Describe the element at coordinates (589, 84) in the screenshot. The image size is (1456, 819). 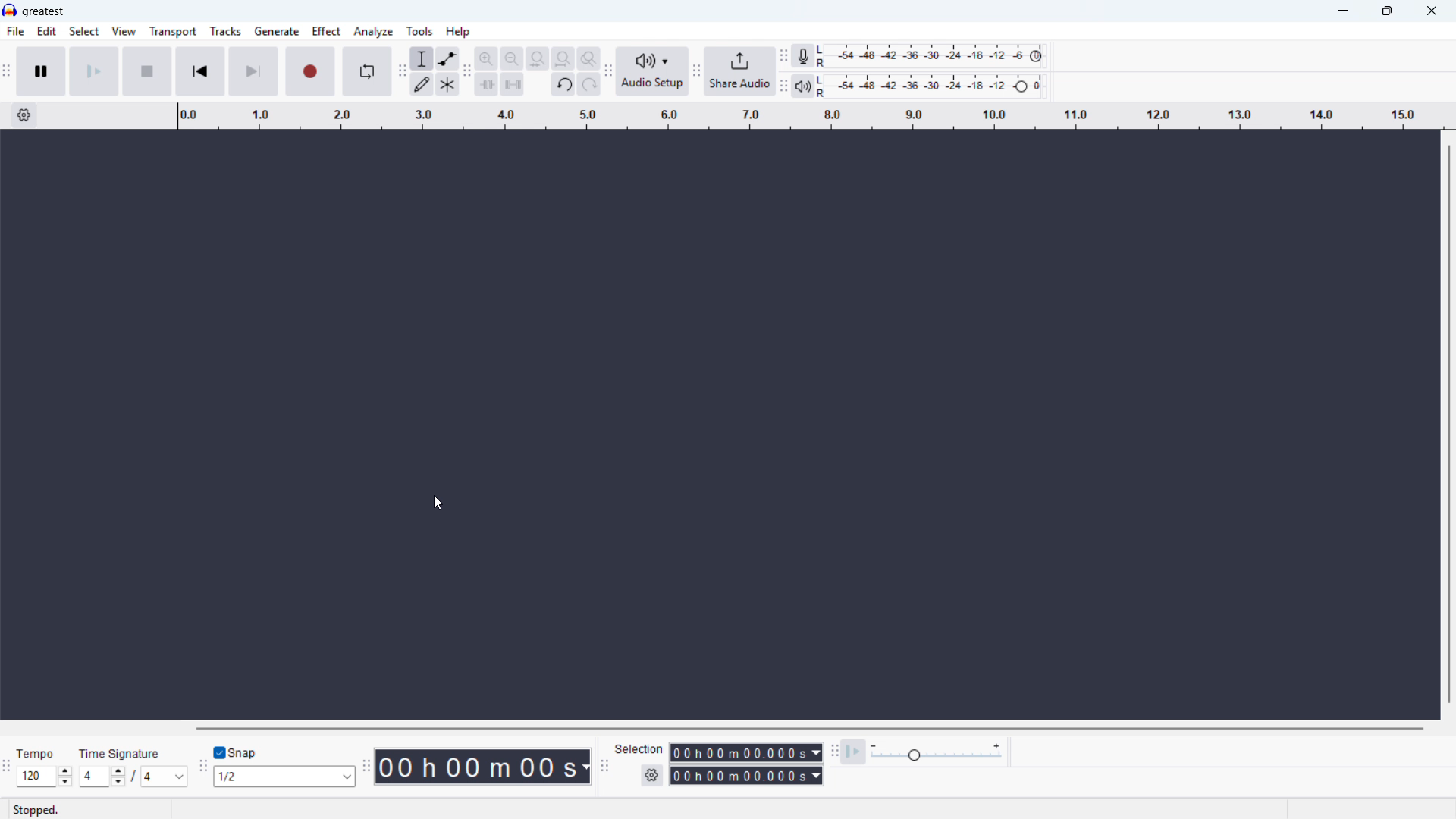
I see `redo` at that location.